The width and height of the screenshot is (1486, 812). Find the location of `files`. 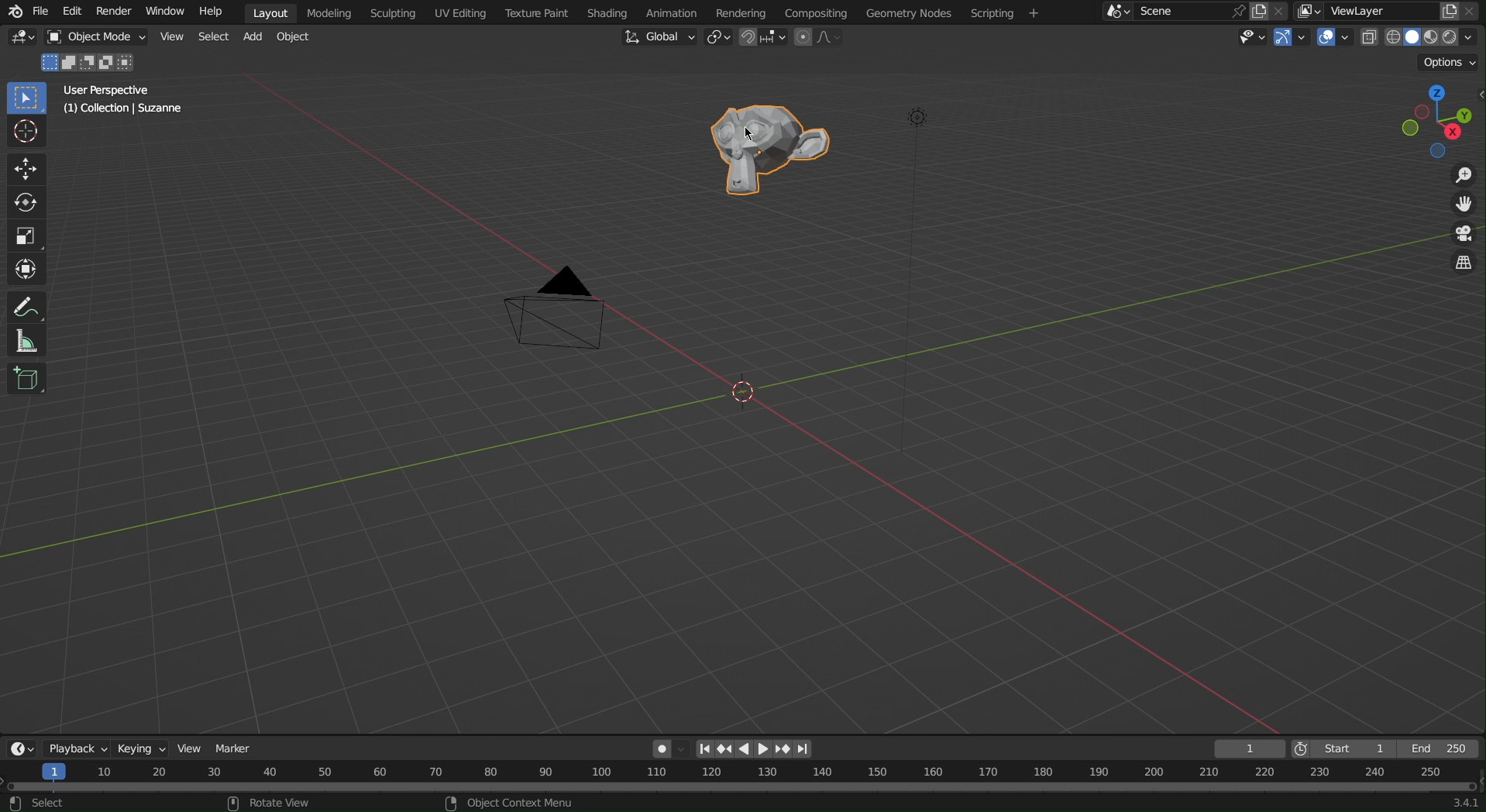

files is located at coordinates (1448, 12).